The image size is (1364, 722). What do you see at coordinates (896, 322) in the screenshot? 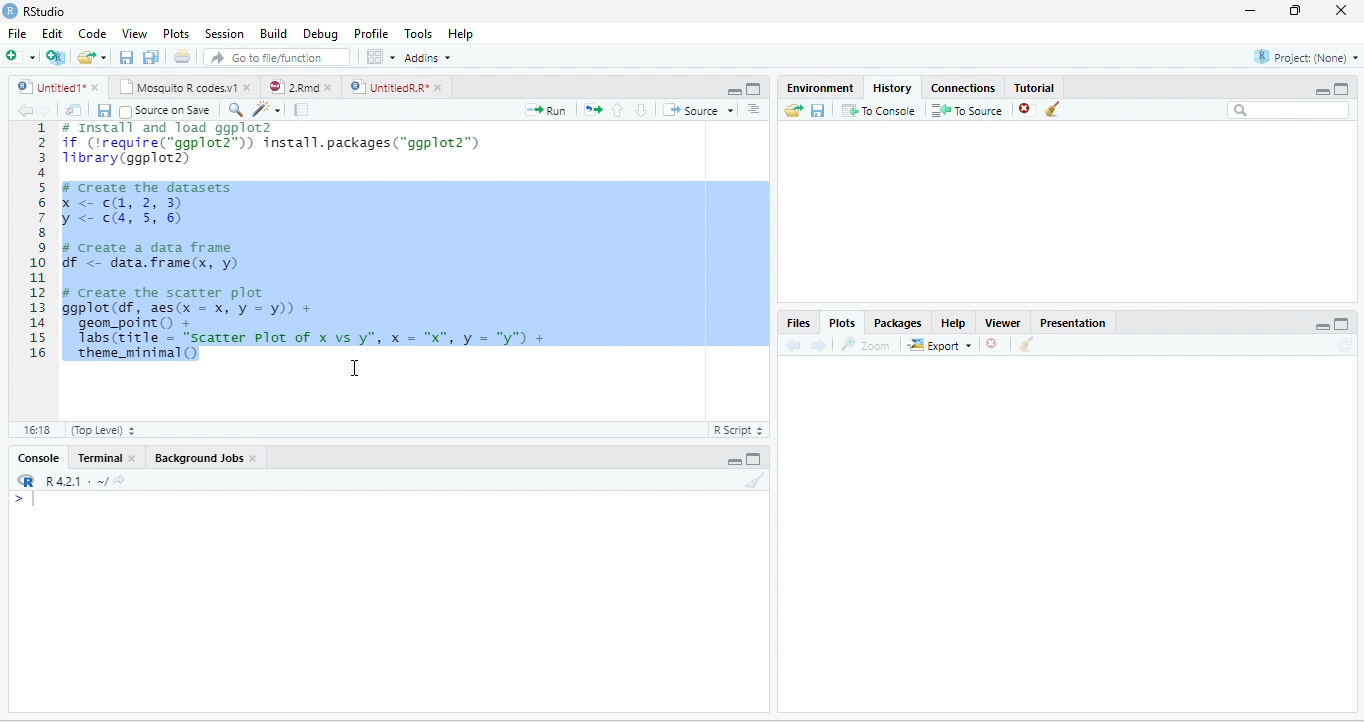
I see `Packages` at bounding box center [896, 322].